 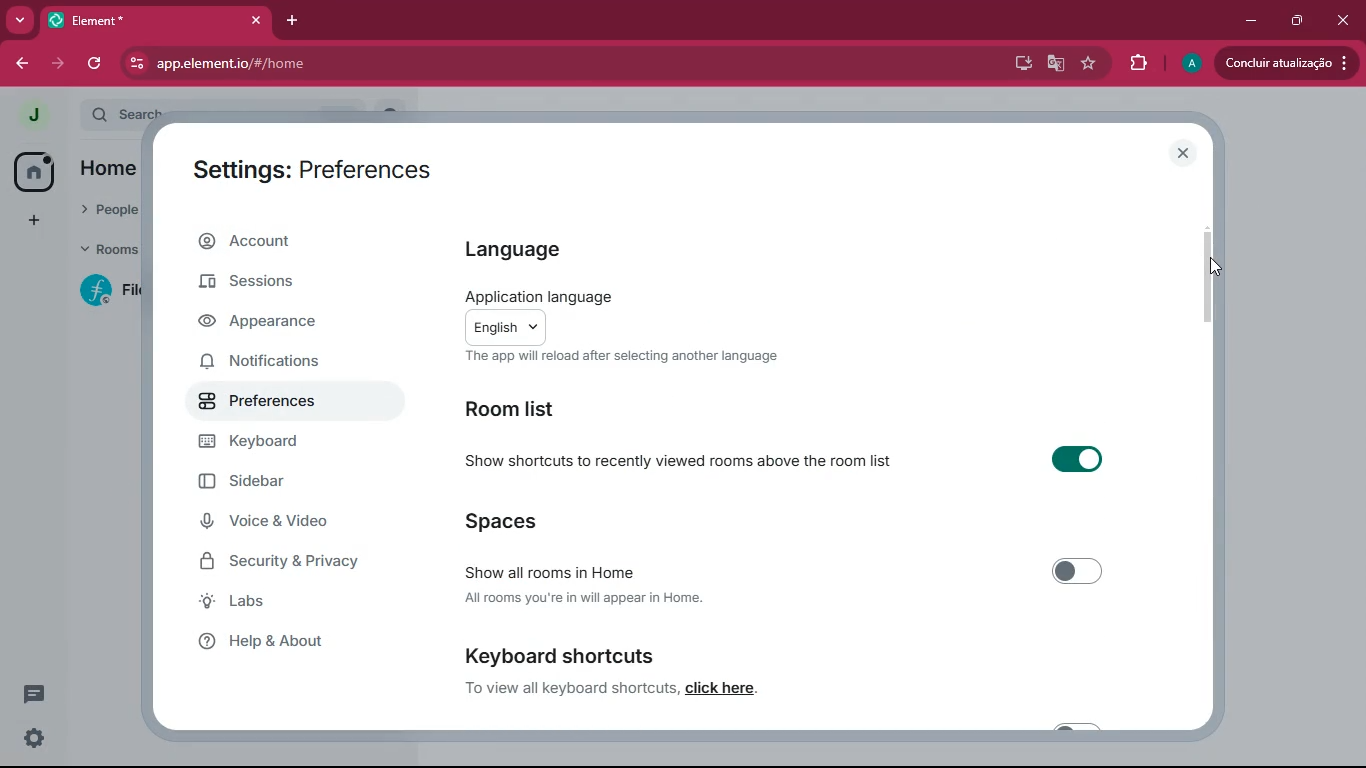 I want to click on shortcuts shortcuts to recently viewed rooms above the room list, so click(x=683, y=462).